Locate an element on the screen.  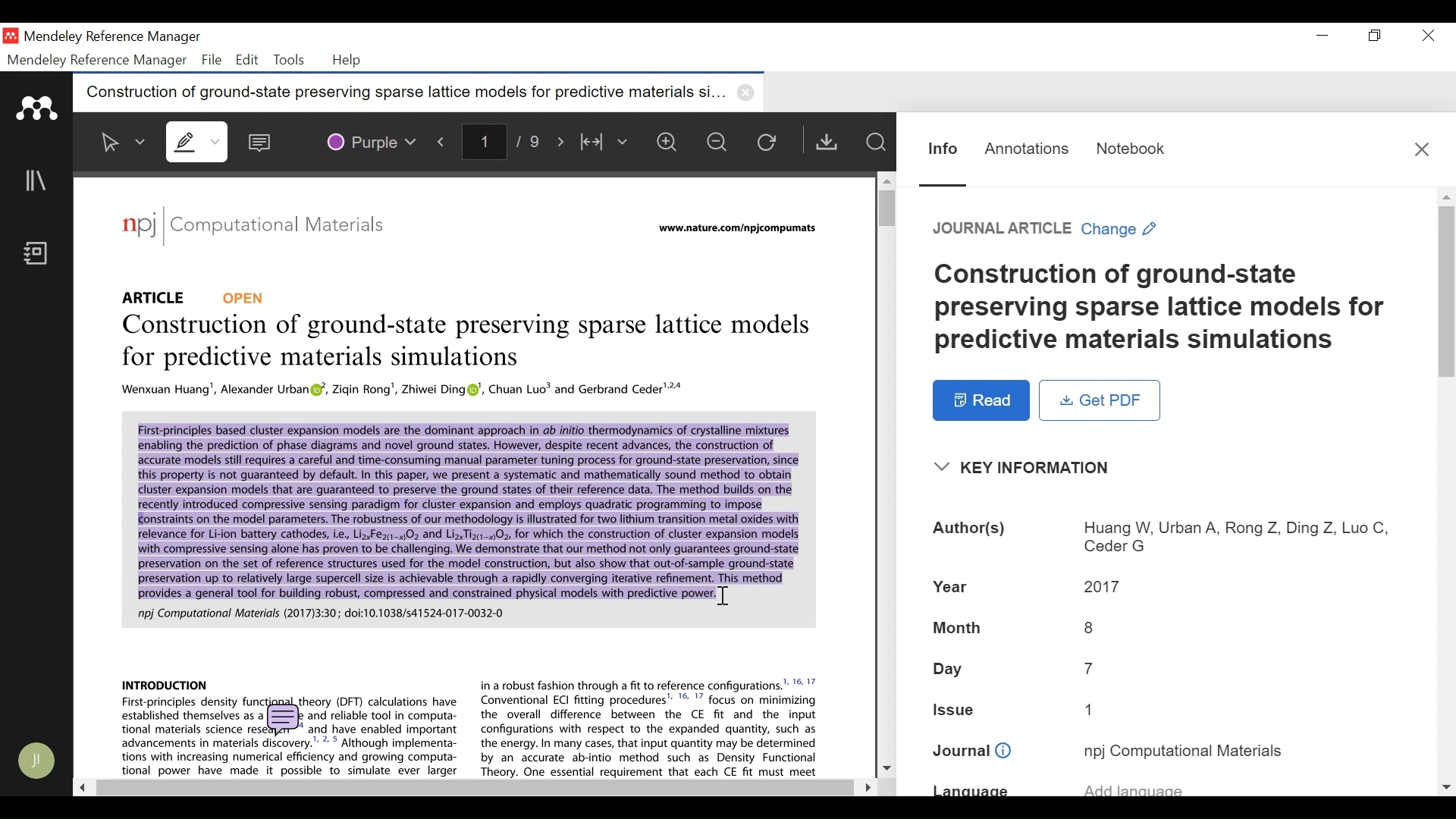
Year is located at coordinates (1103, 585).